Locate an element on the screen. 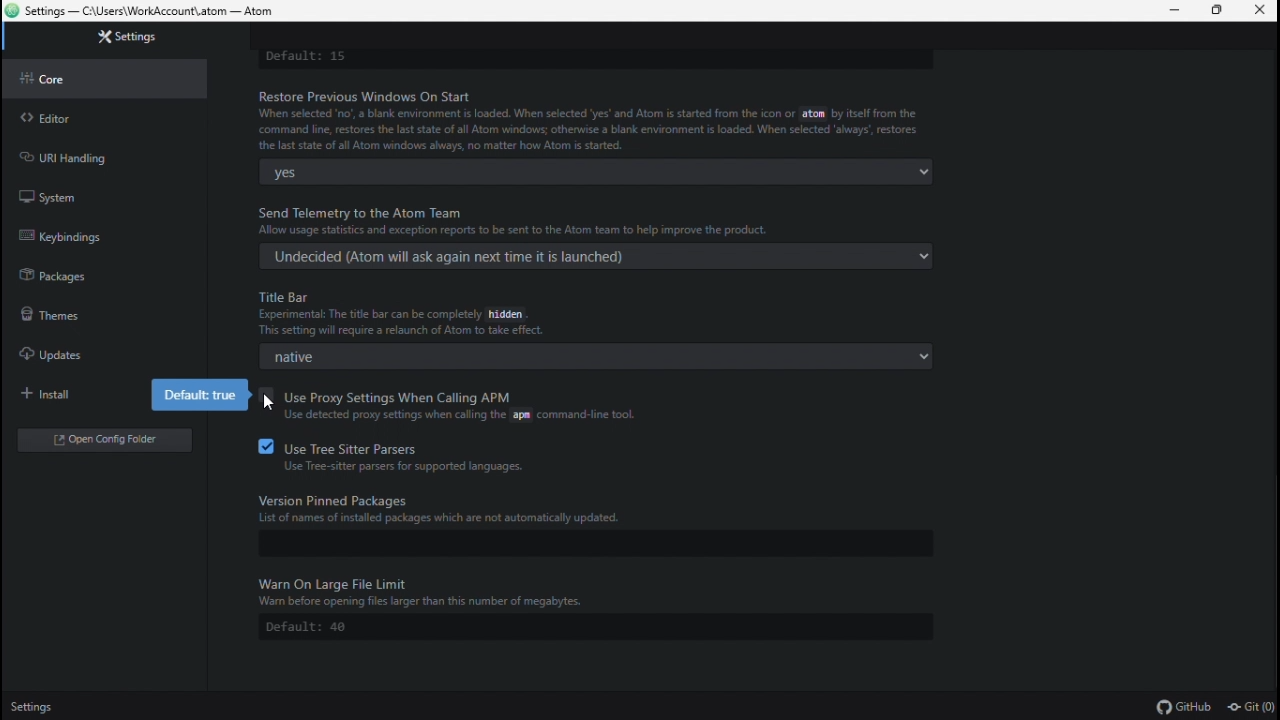 The width and height of the screenshot is (1280, 720). Close is located at coordinates (1262, 11).